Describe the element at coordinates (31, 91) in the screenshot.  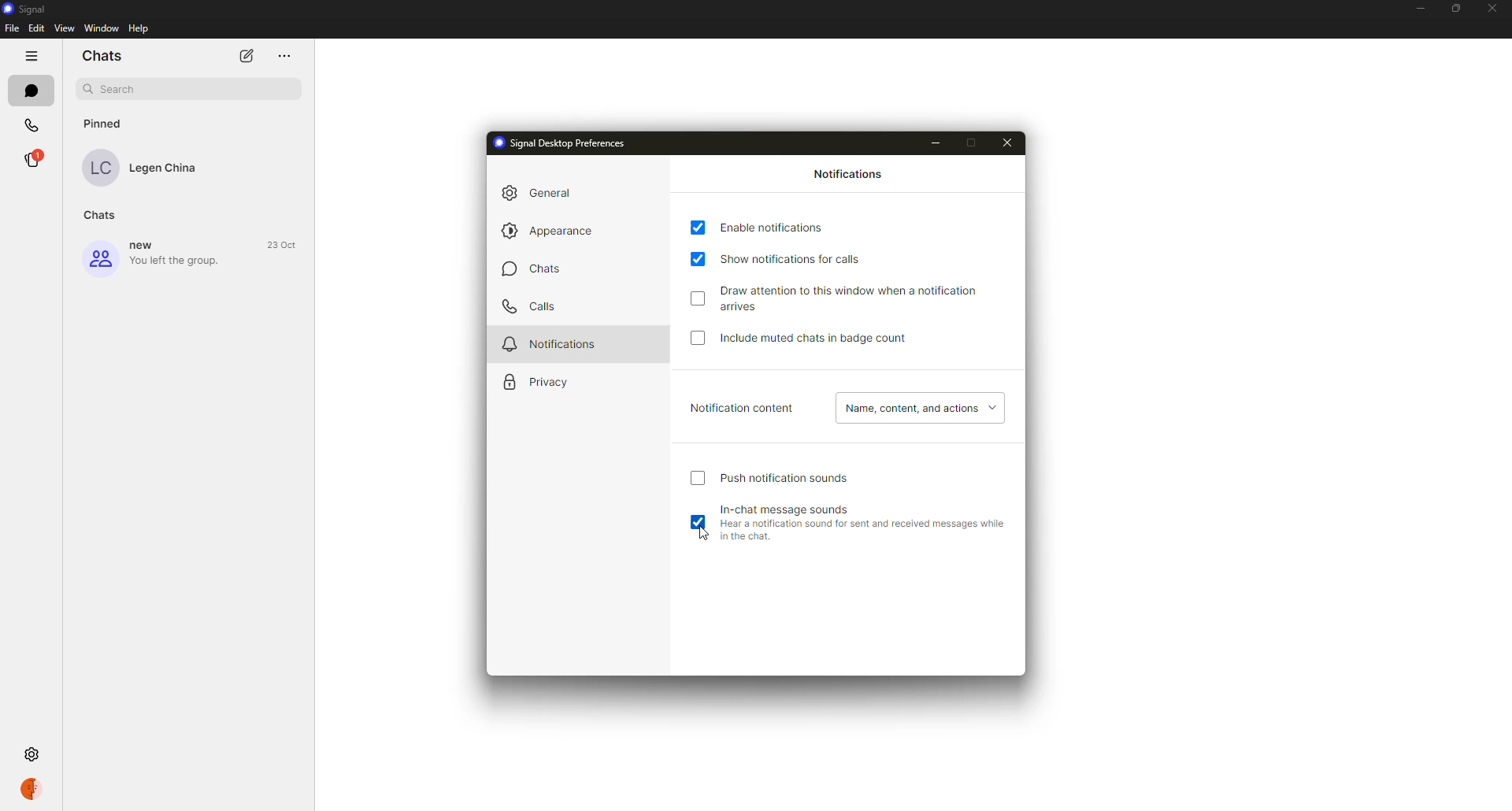
I see `chats` at that location.